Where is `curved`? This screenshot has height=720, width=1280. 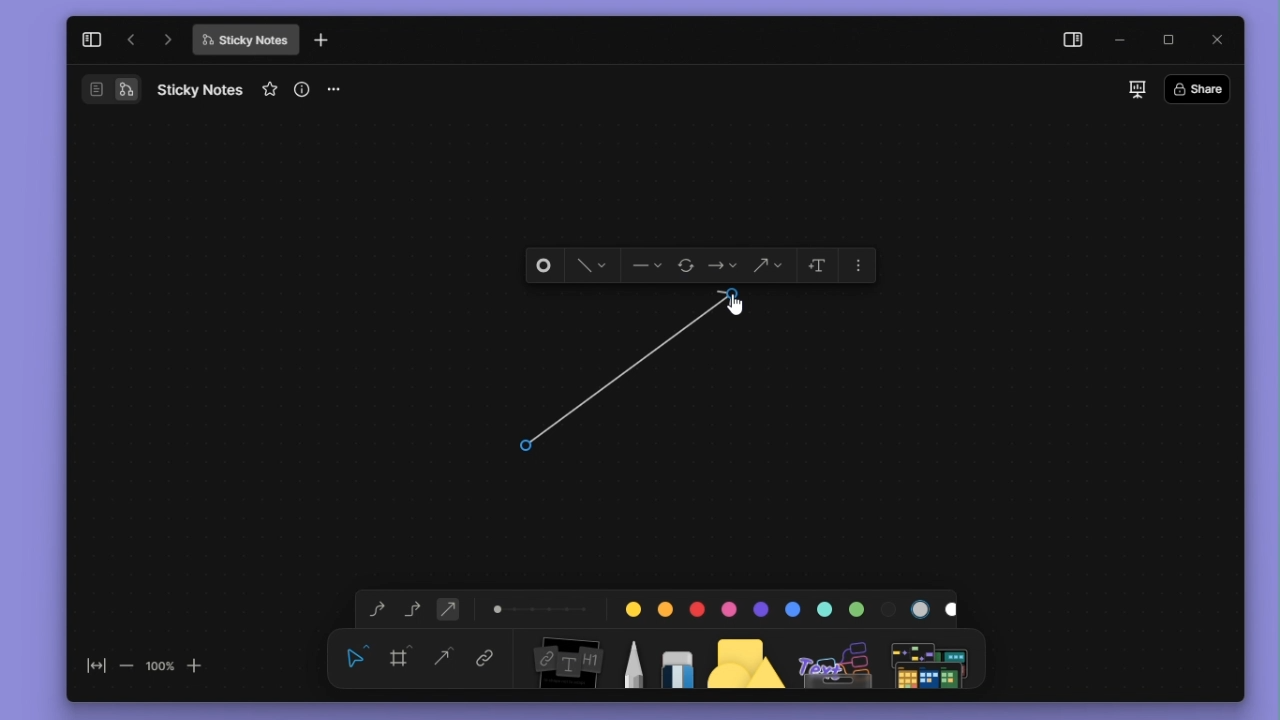 curved is located at coordinates (373, 610).